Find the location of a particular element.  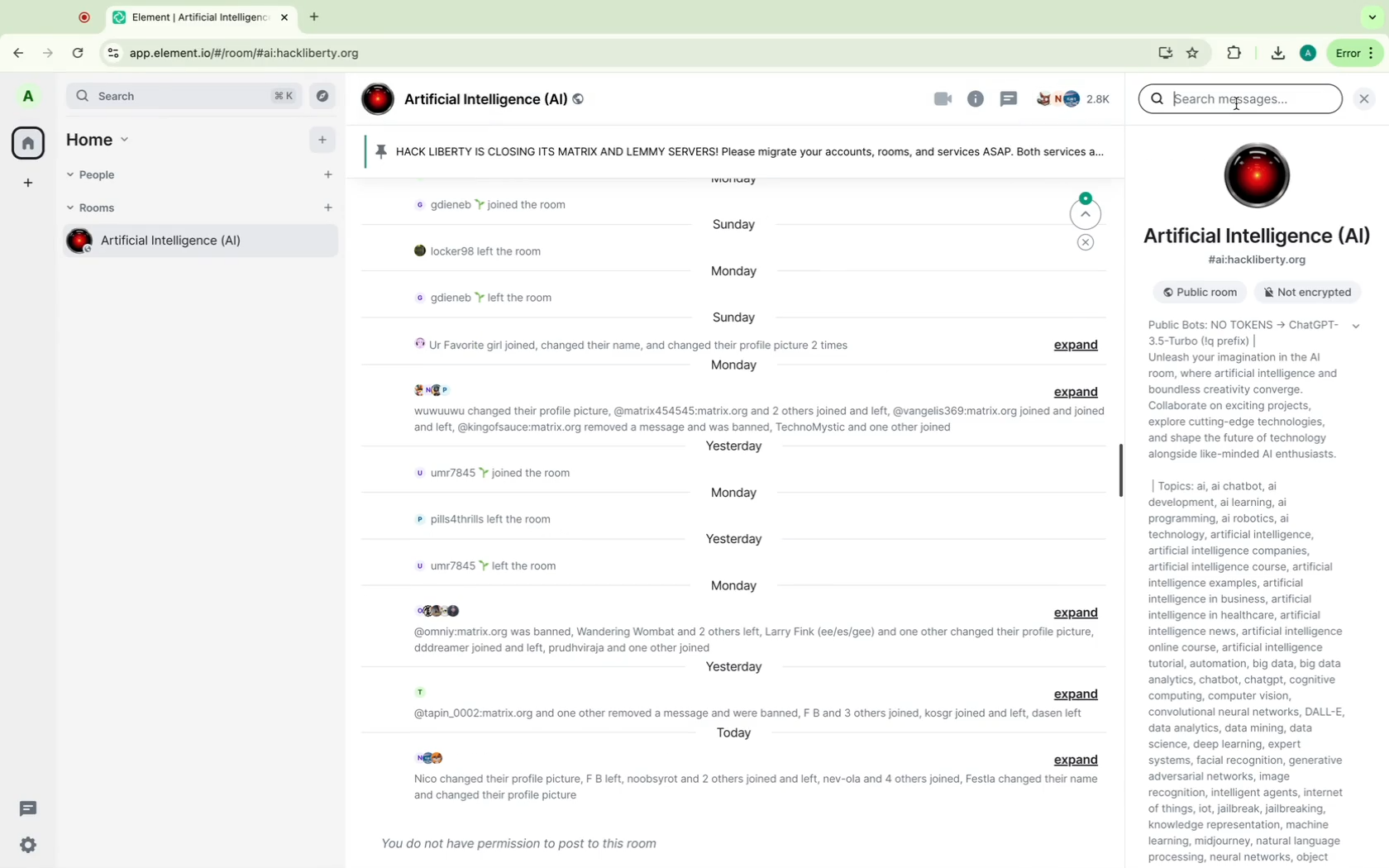

message is located at coordinates (759, 786).